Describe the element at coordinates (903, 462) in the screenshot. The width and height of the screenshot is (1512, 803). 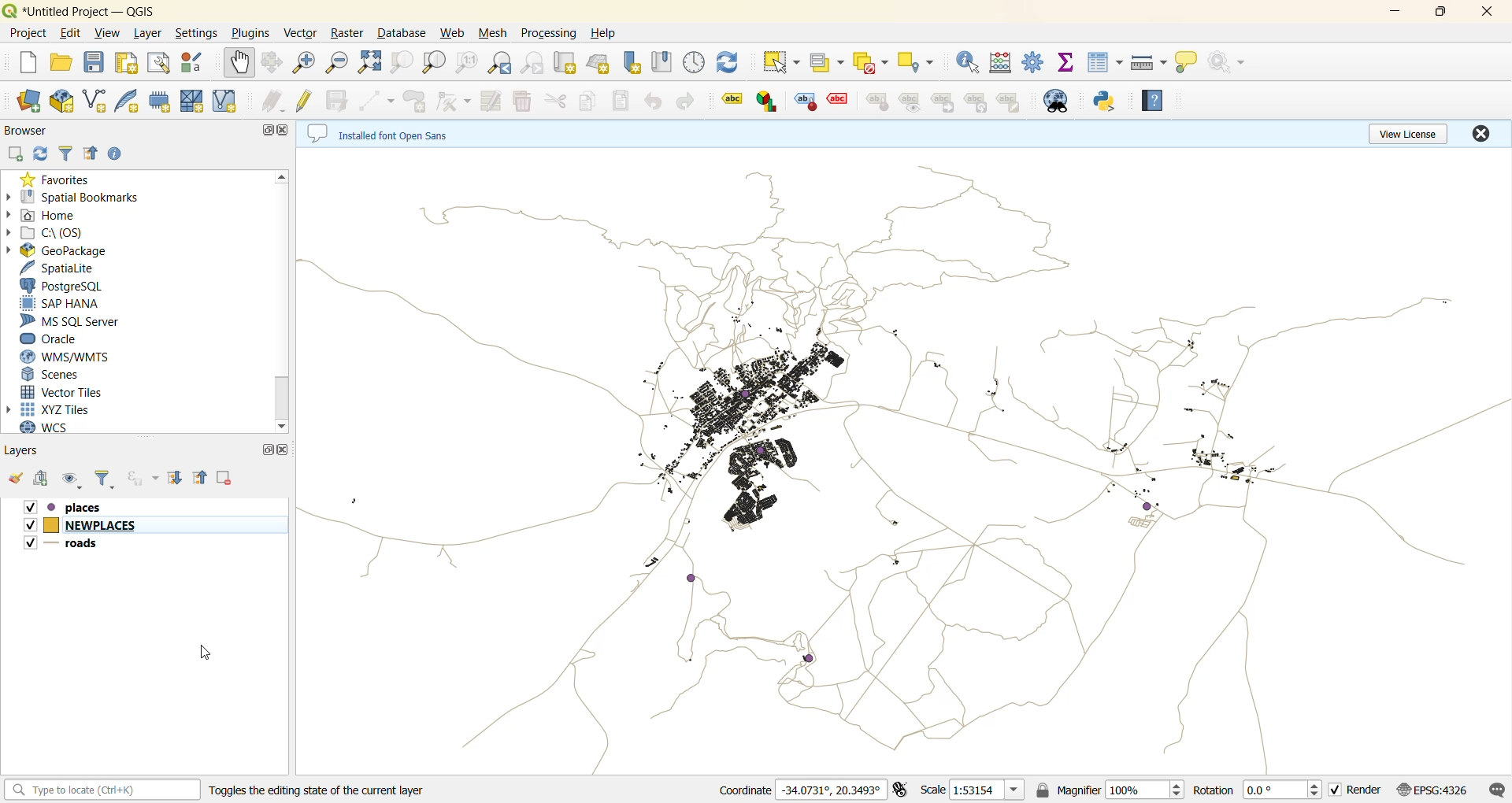
I see `layers` at that location.